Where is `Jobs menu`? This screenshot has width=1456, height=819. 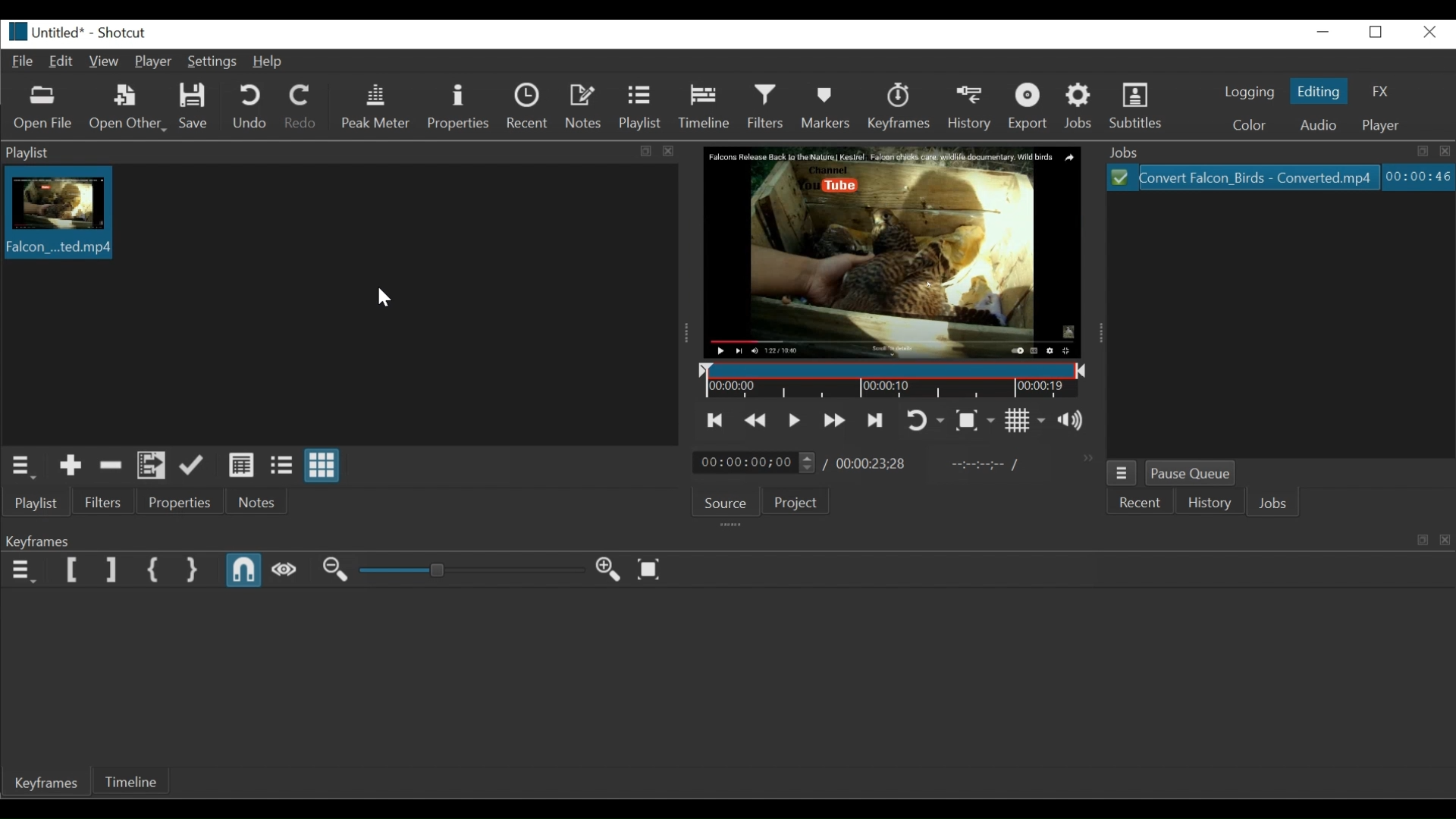
Jobs menu is located at coordinates (1123, 472).